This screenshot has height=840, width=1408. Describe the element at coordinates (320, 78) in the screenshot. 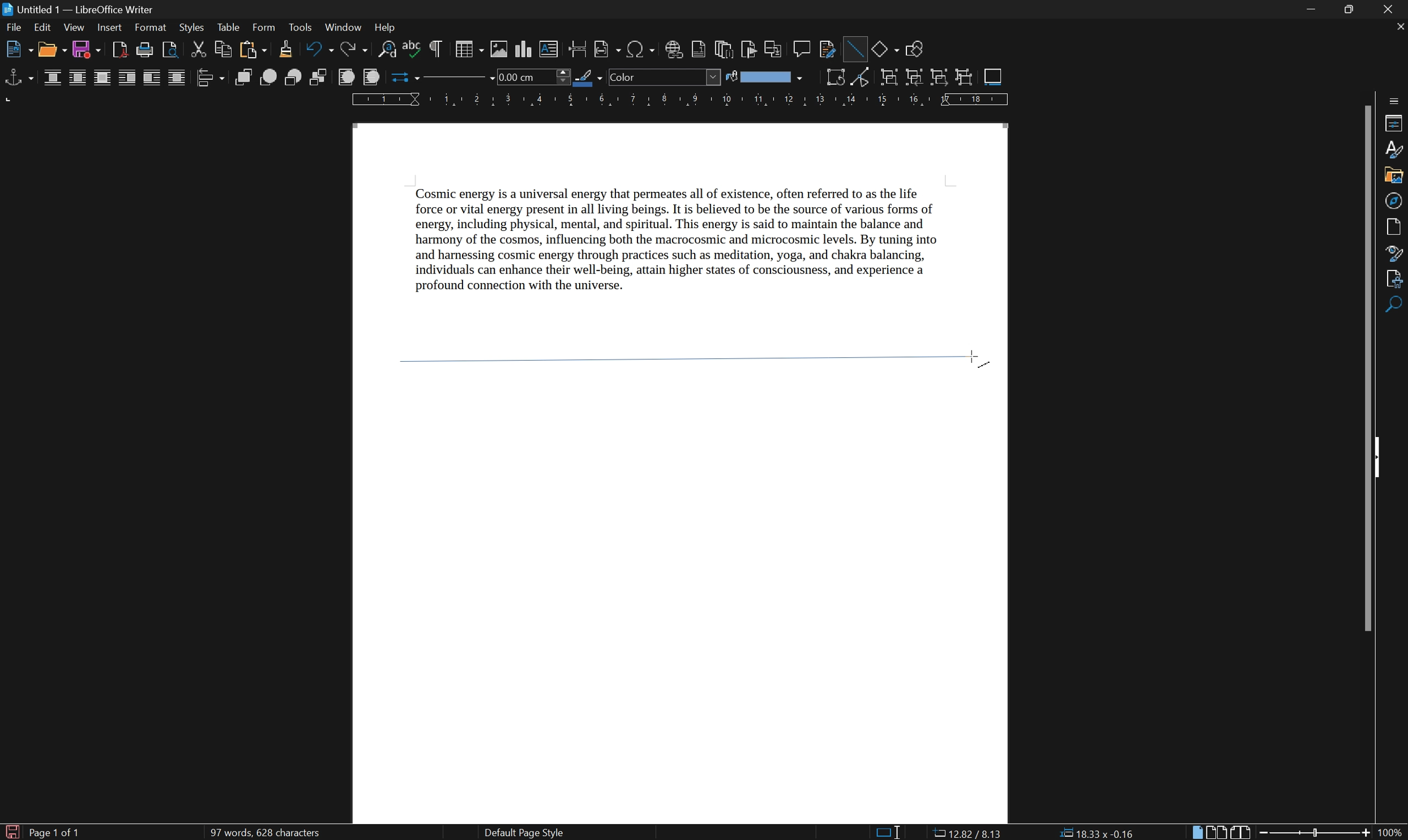

I see `send to back` at that location.